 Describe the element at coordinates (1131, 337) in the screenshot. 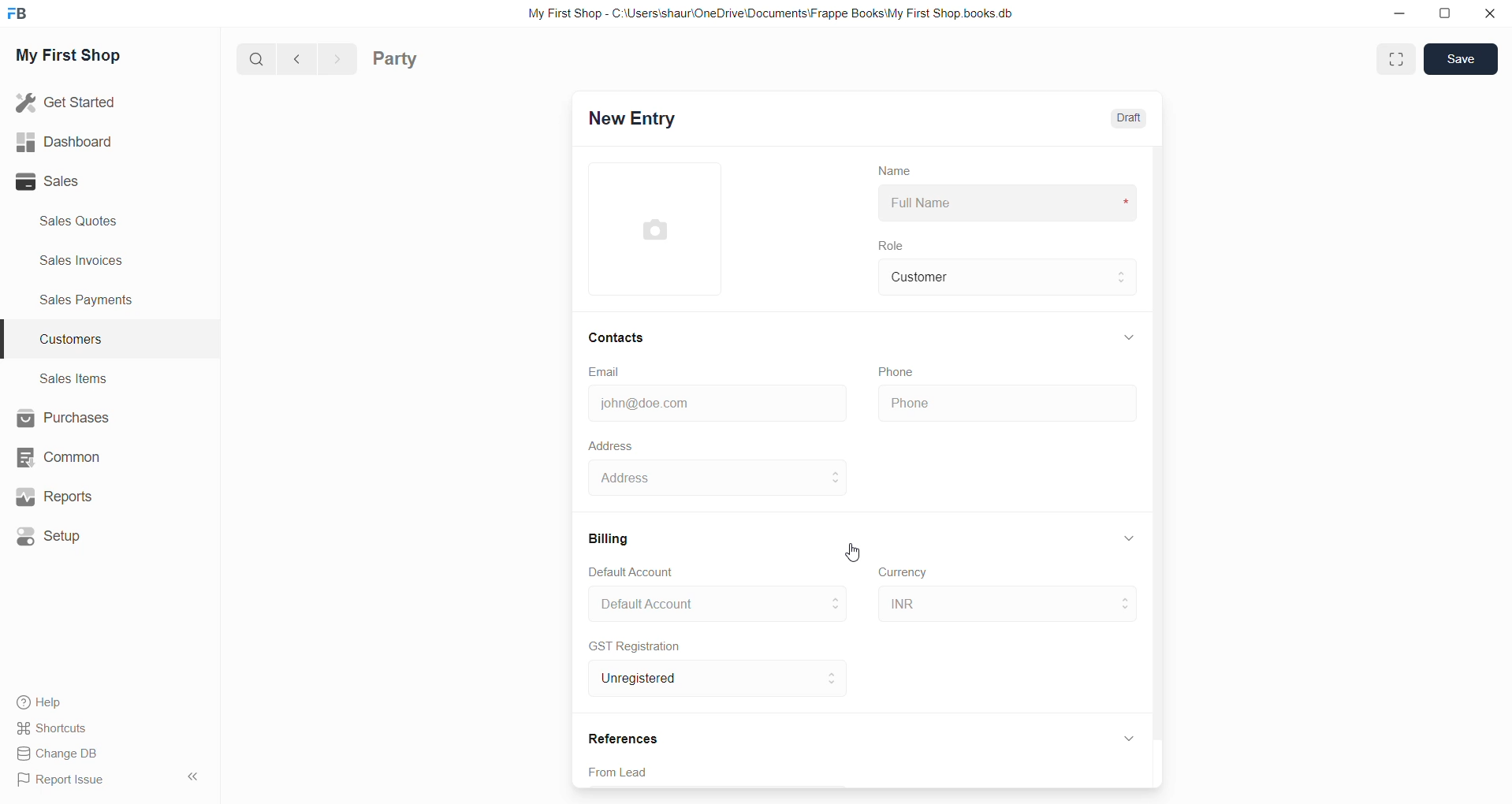

I see `hide contacts` at that location.